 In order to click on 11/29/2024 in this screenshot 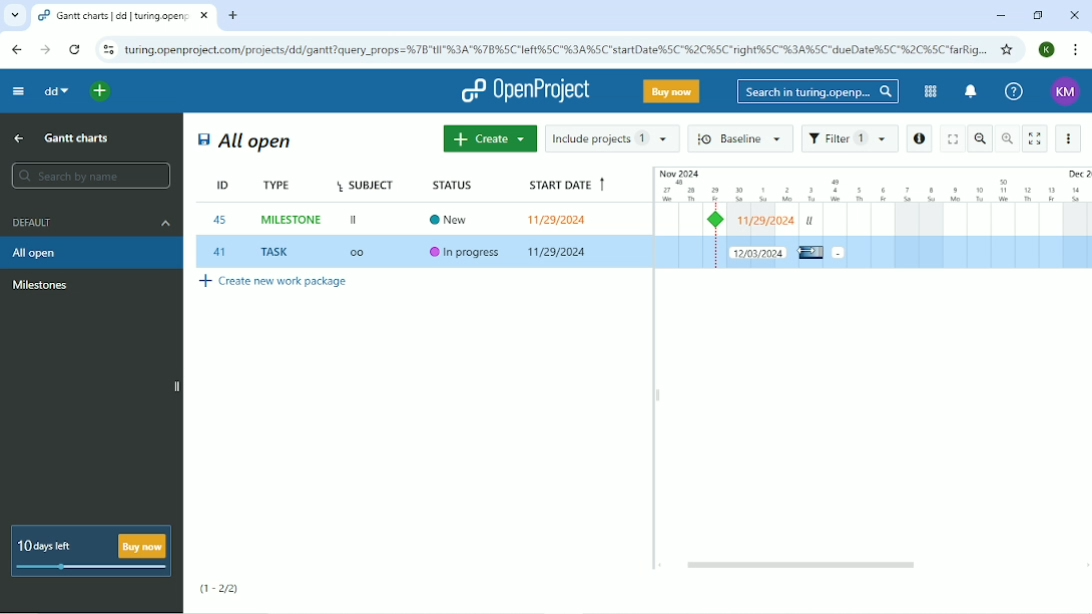, I will do `click(561, 219)`.